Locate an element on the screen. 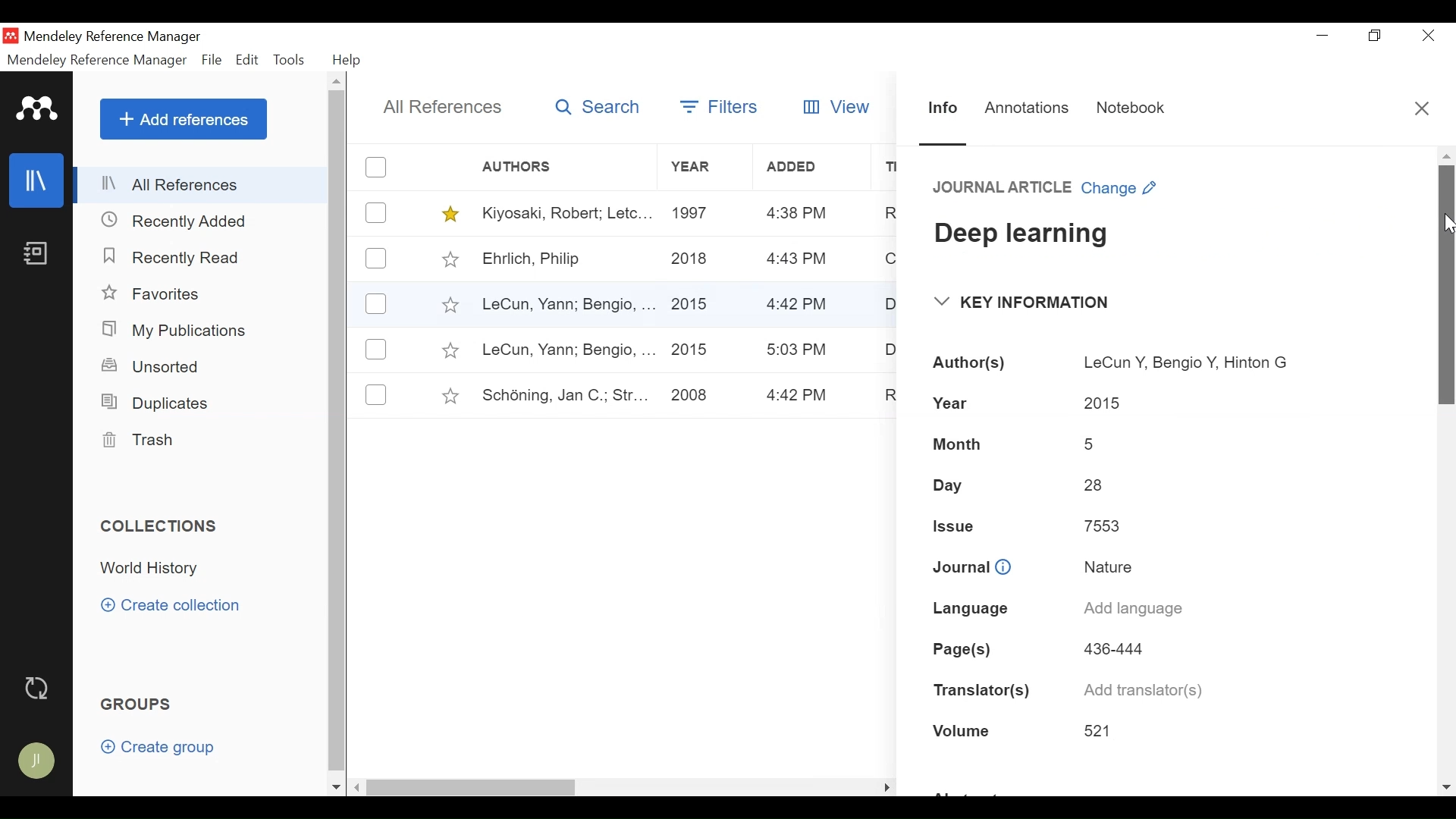 This screenshot has width=1456, height=819. Search is located at coordinates (599, 108).